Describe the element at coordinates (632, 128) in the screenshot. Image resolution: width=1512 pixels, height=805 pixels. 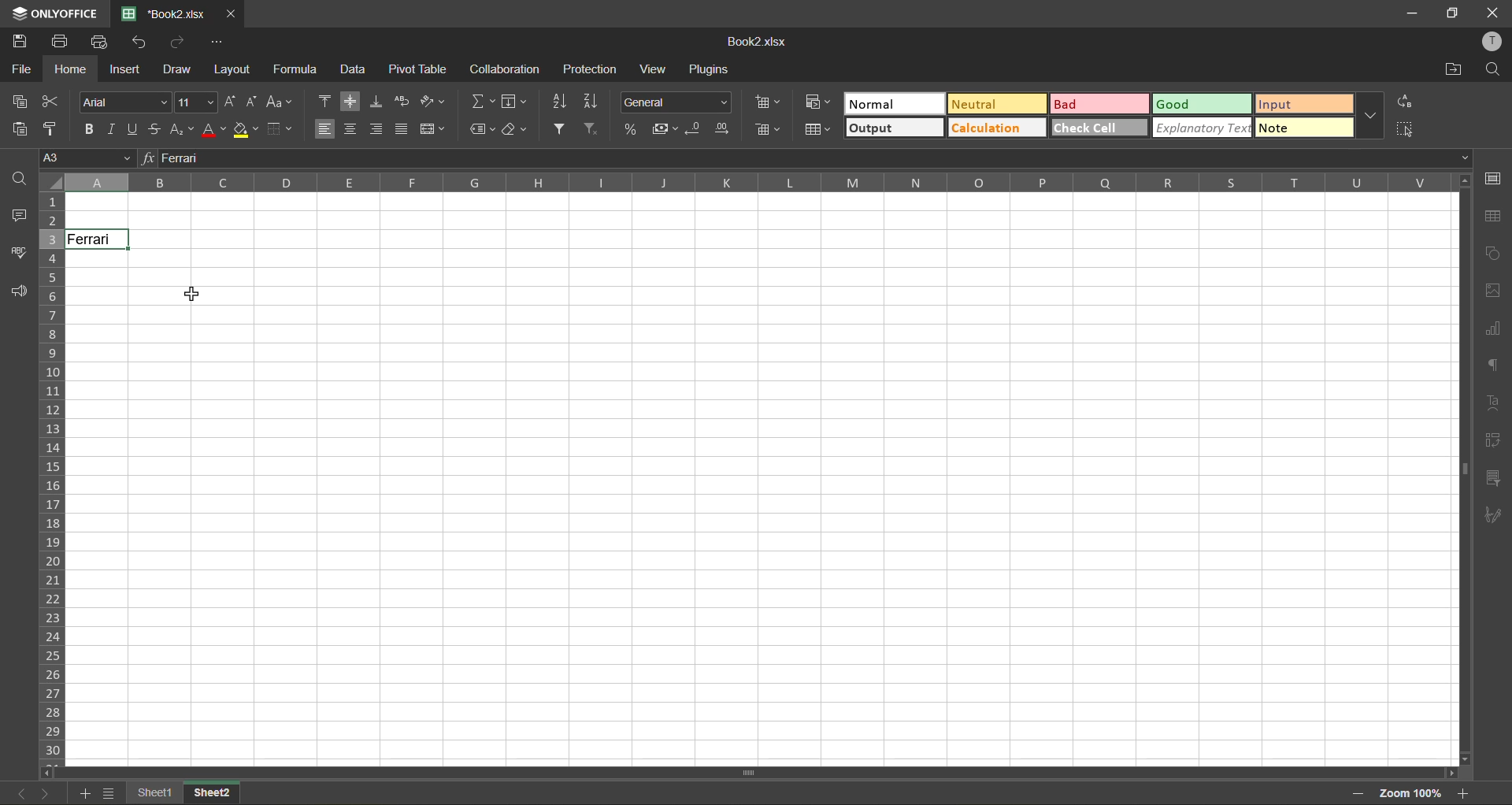
I see `percent` at that location.